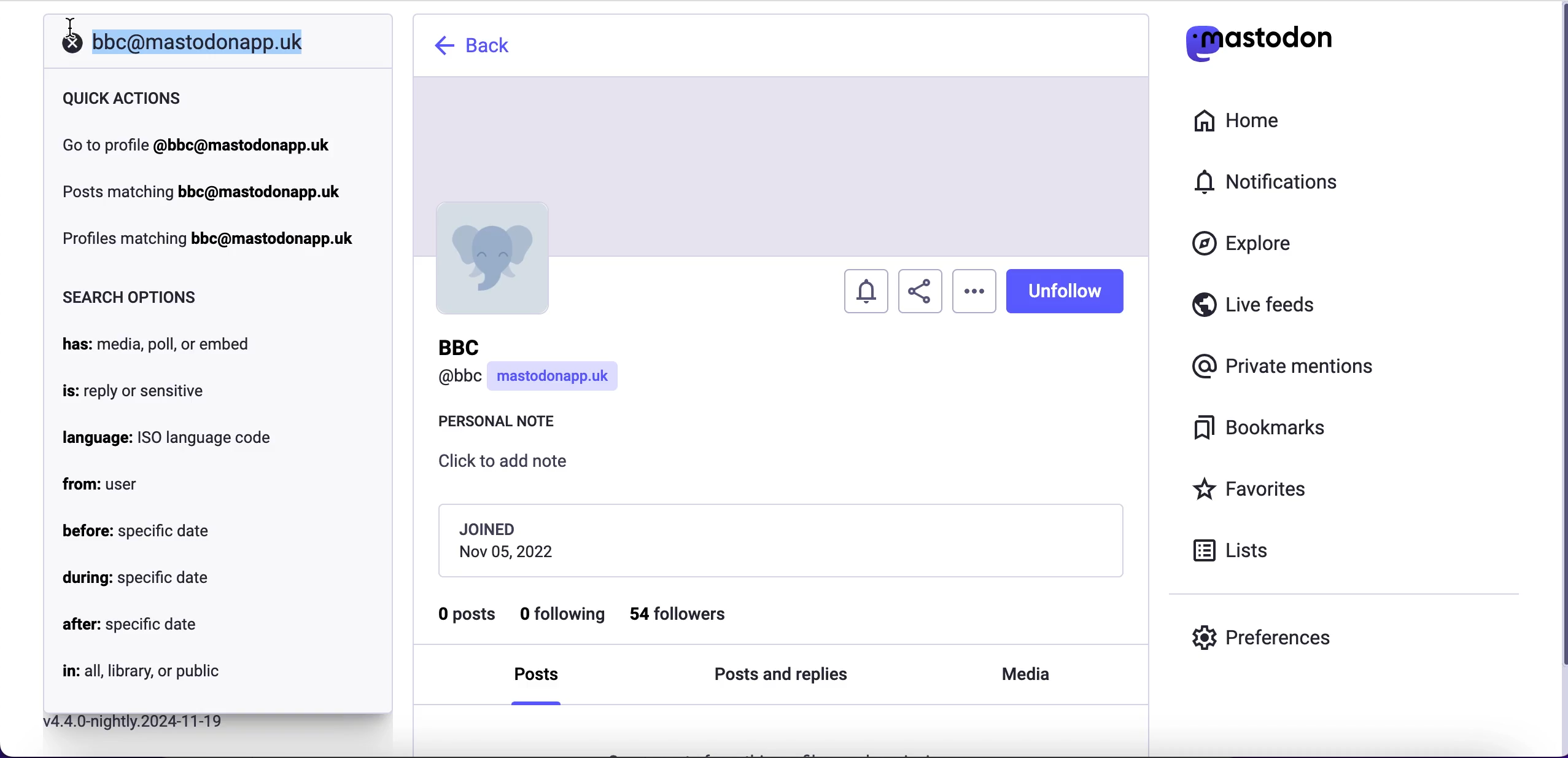 This screenshot has height=758, width=1568. What do you see at coordinates (468, 619) in the screenshot?
I see `0 posts` at bounding box center [468, 619].